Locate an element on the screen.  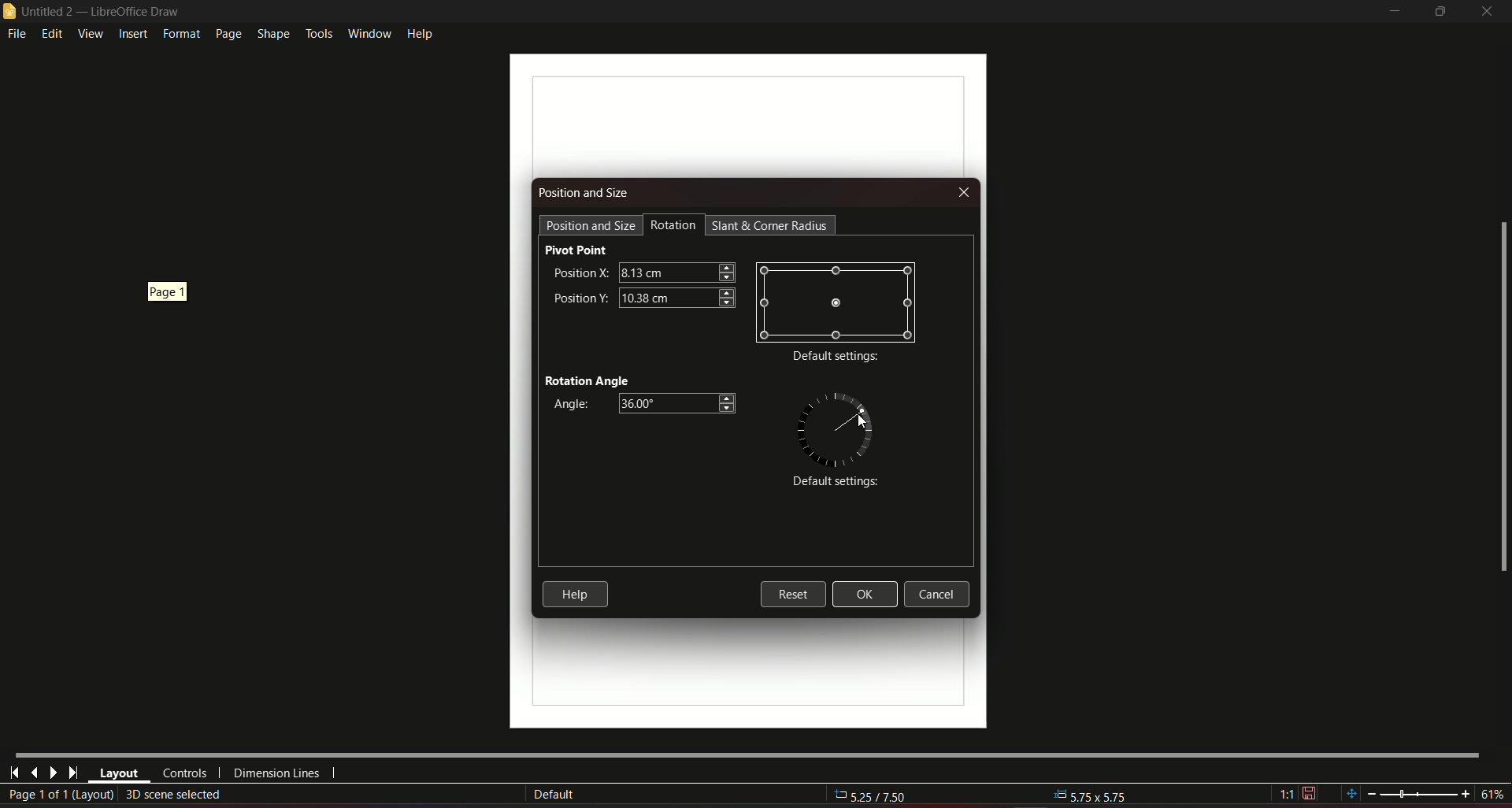
Default is located at coordinates (554, 795).